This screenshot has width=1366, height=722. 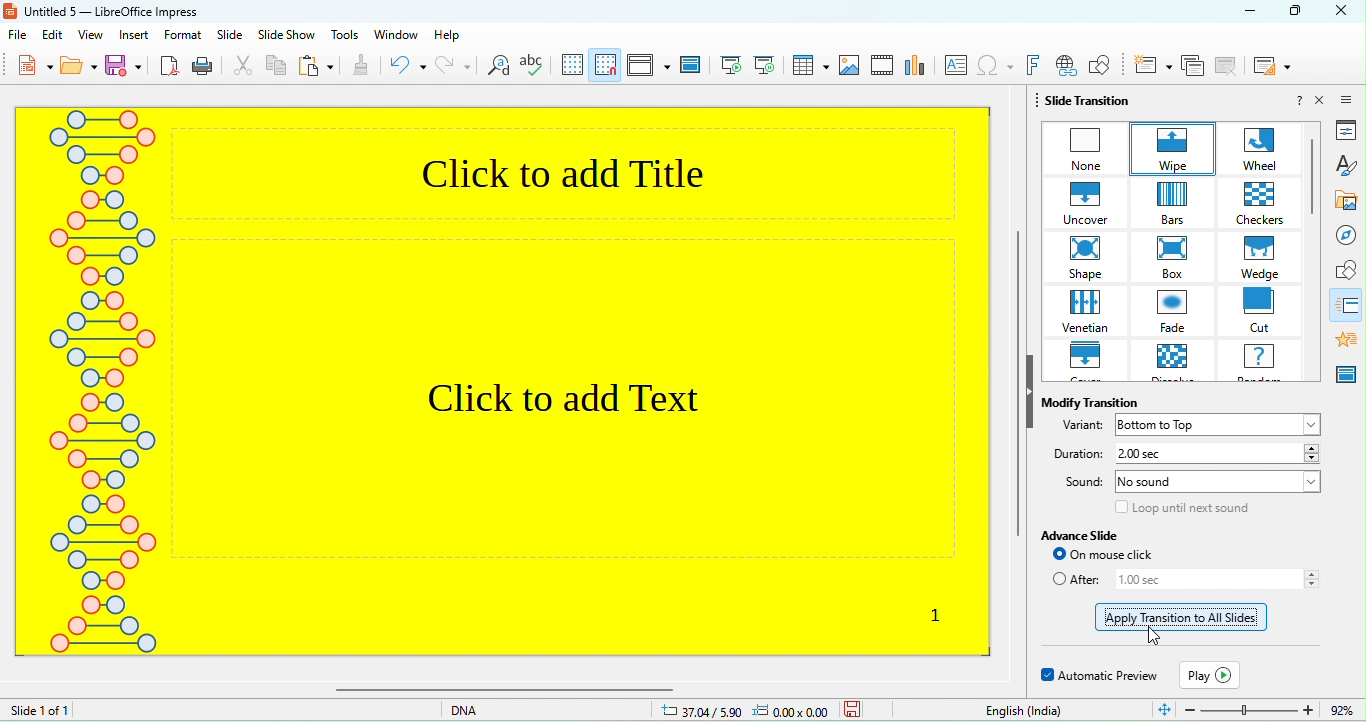 What do you see at coordinates (1169, 149) in the screenshot?
I see `wipe` at bounding box center [1169, 149].